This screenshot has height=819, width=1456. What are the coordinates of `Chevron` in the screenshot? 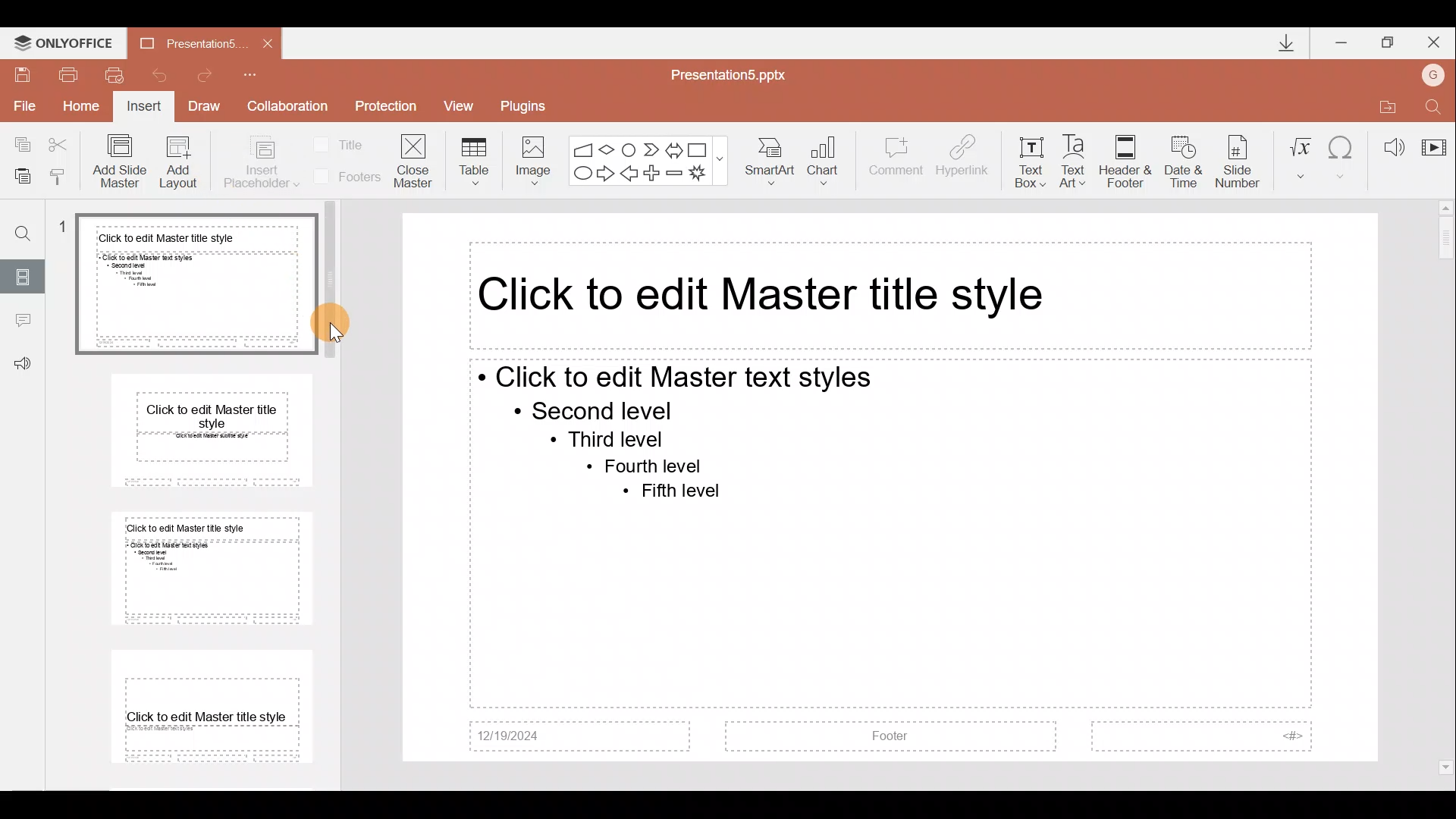 It's located at (649, 148).